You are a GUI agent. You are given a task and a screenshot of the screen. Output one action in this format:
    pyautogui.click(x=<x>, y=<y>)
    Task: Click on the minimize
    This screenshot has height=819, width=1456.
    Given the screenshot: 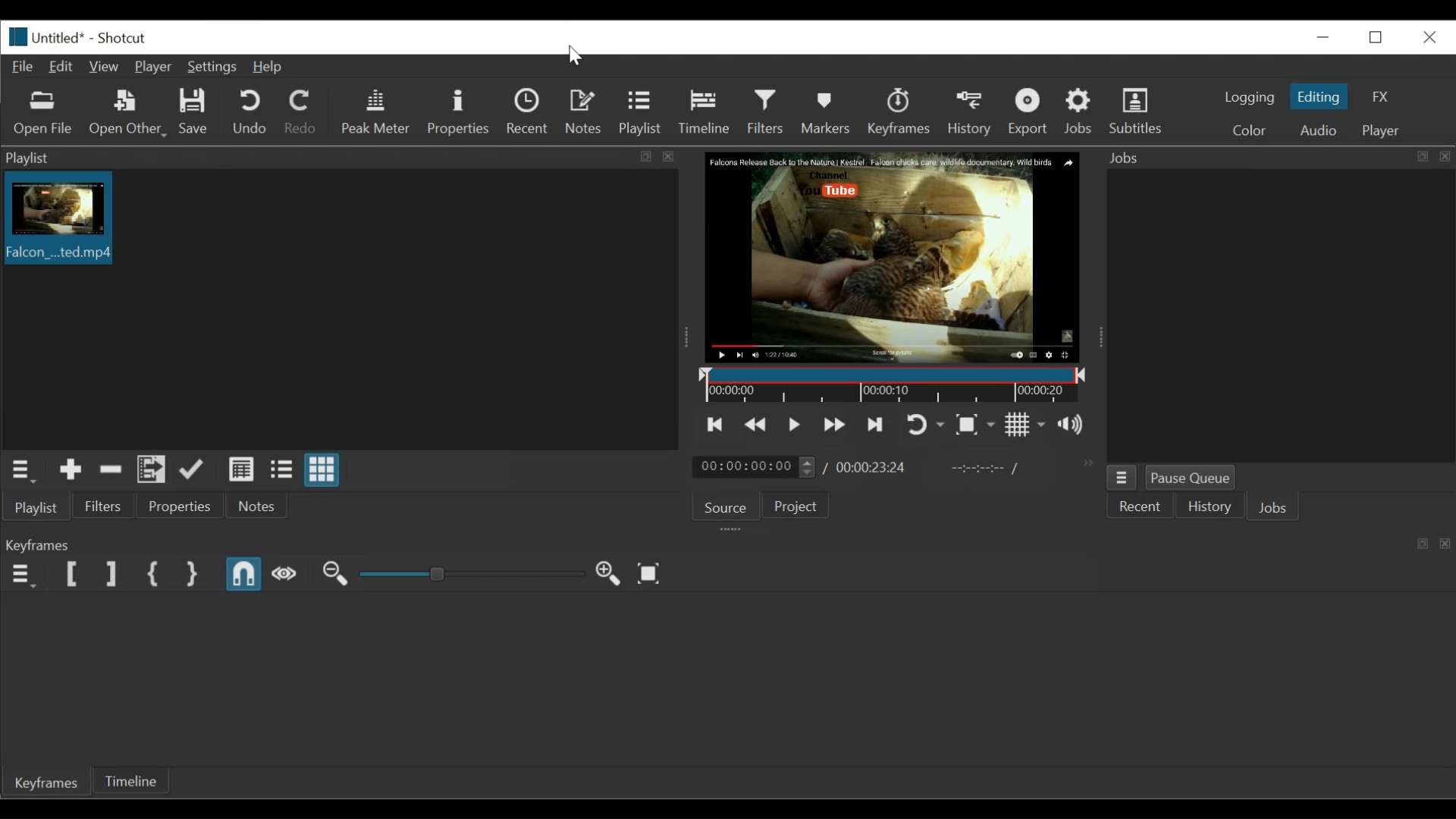 What is the action you would take?
    pyautogui.click(x=1319, y=37)
    